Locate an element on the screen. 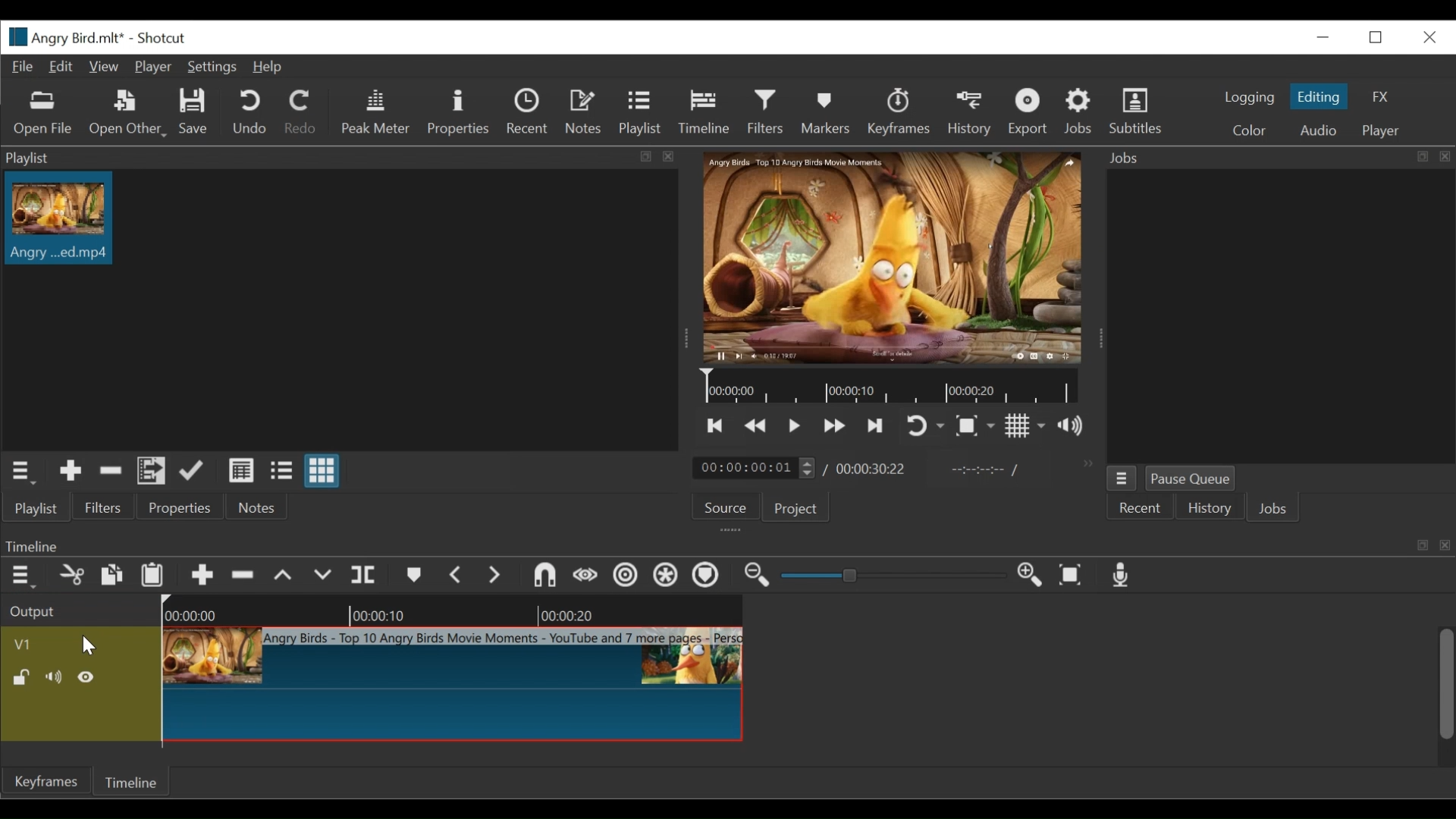  Shotcut is located at coordinates (165, 39).